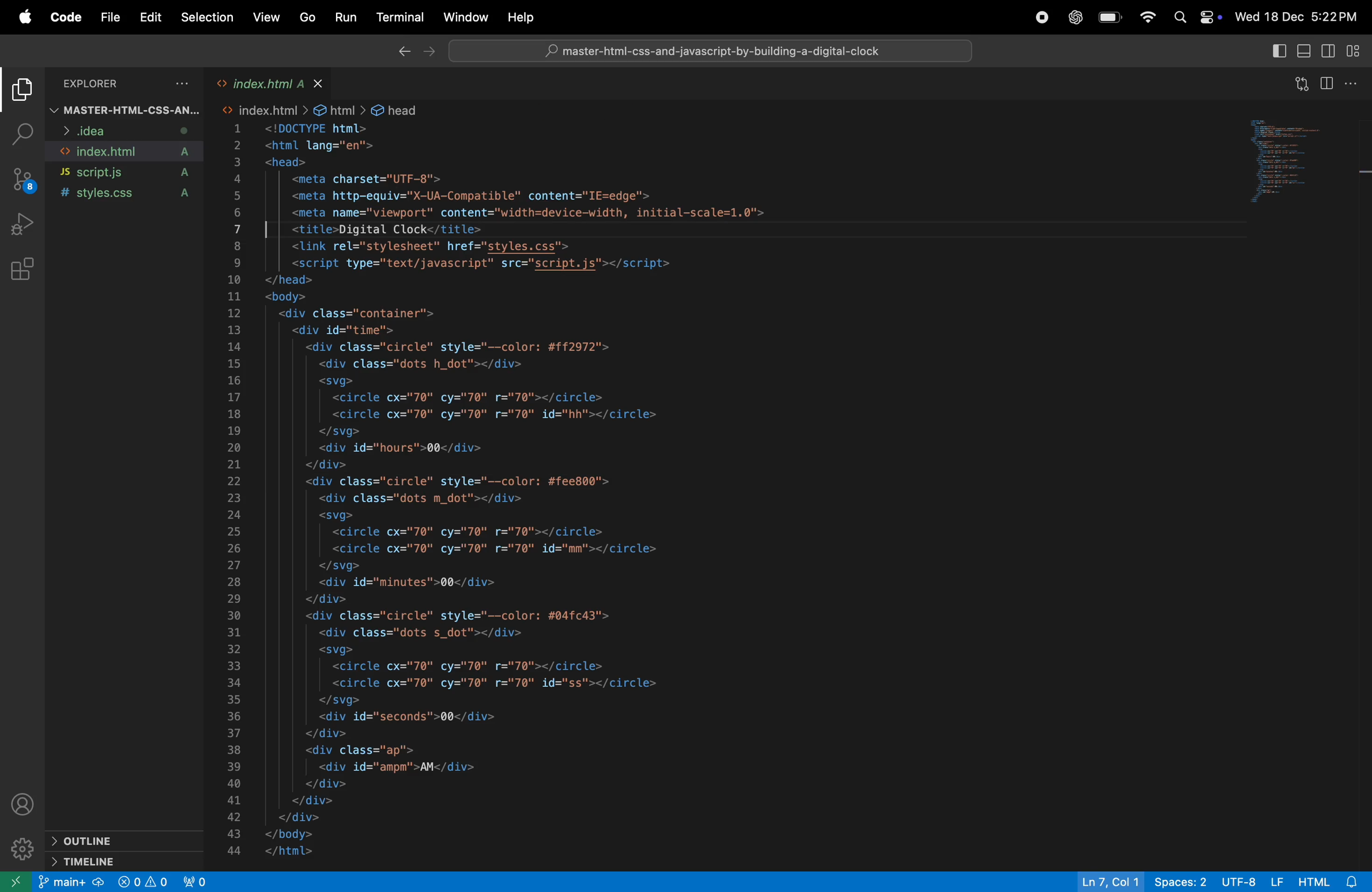  What do you see at coordinates (399, 19) in the screenshot?
I see `terminal` at bounding box center [399, 19].